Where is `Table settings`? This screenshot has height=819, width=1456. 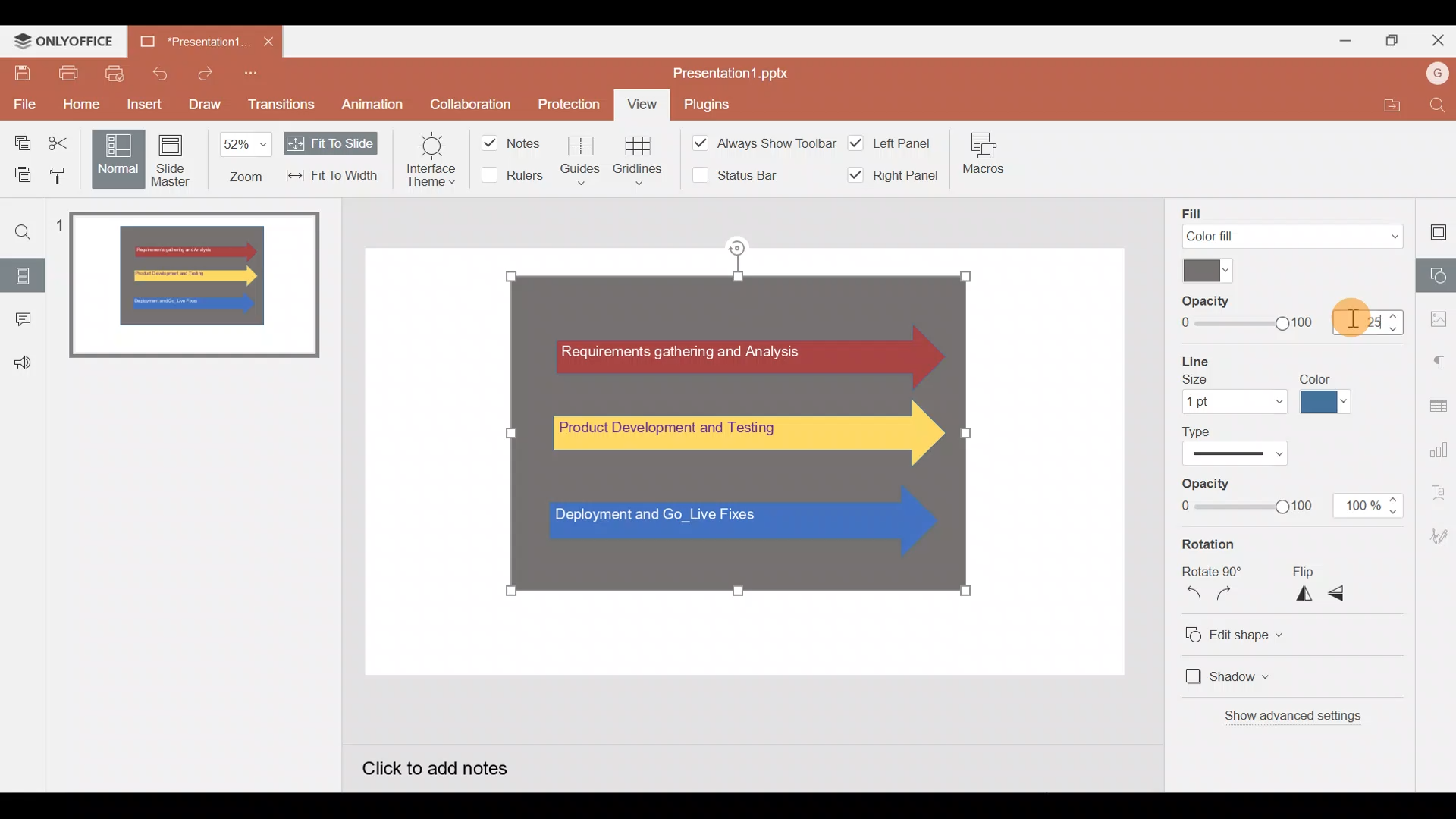 Table settings is located at coordinates (1437, 401).